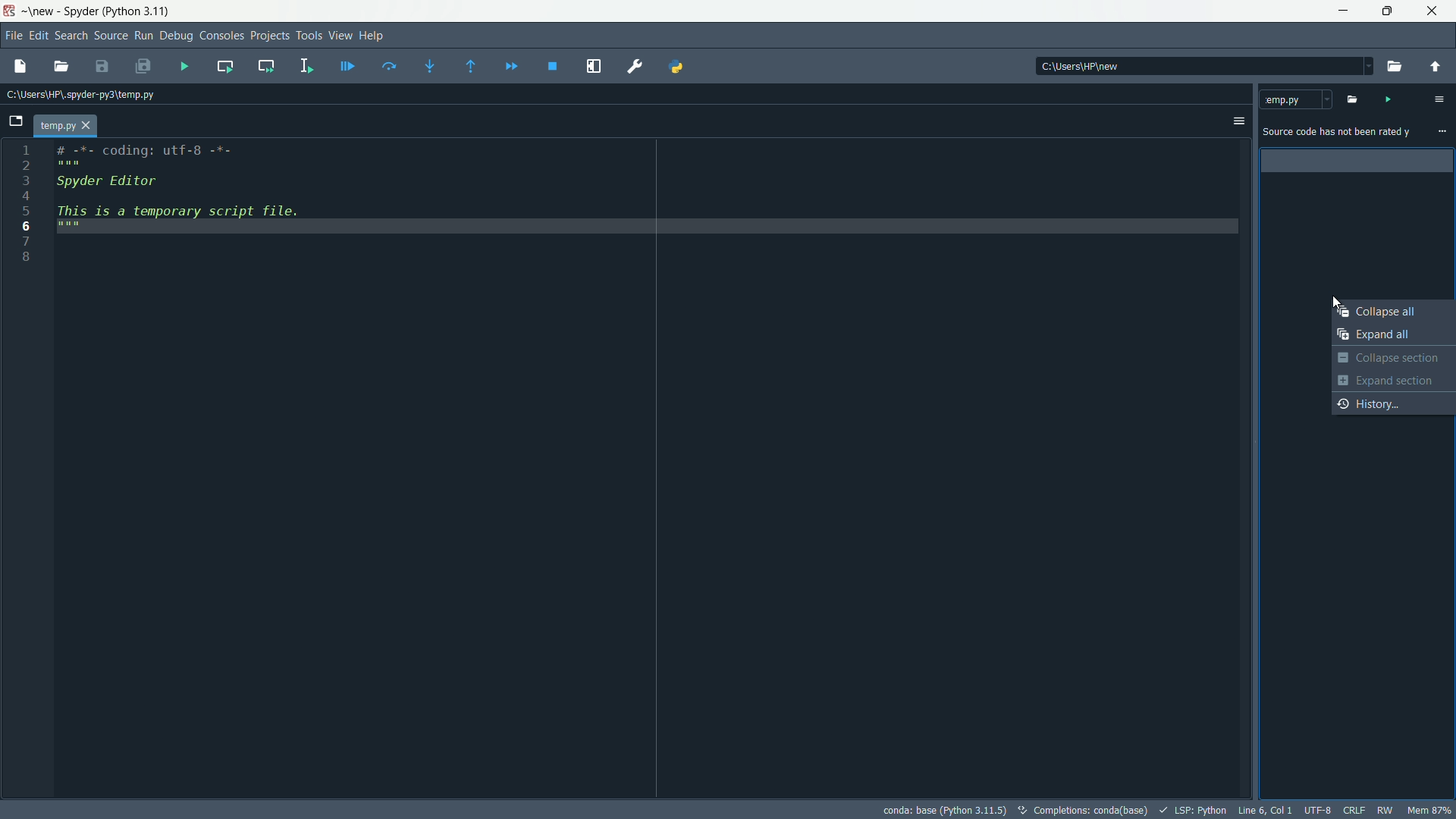  What do you see at coordinates (372, 36) in the screenshot?
I see `help menu` at bounding box center [372, 36].